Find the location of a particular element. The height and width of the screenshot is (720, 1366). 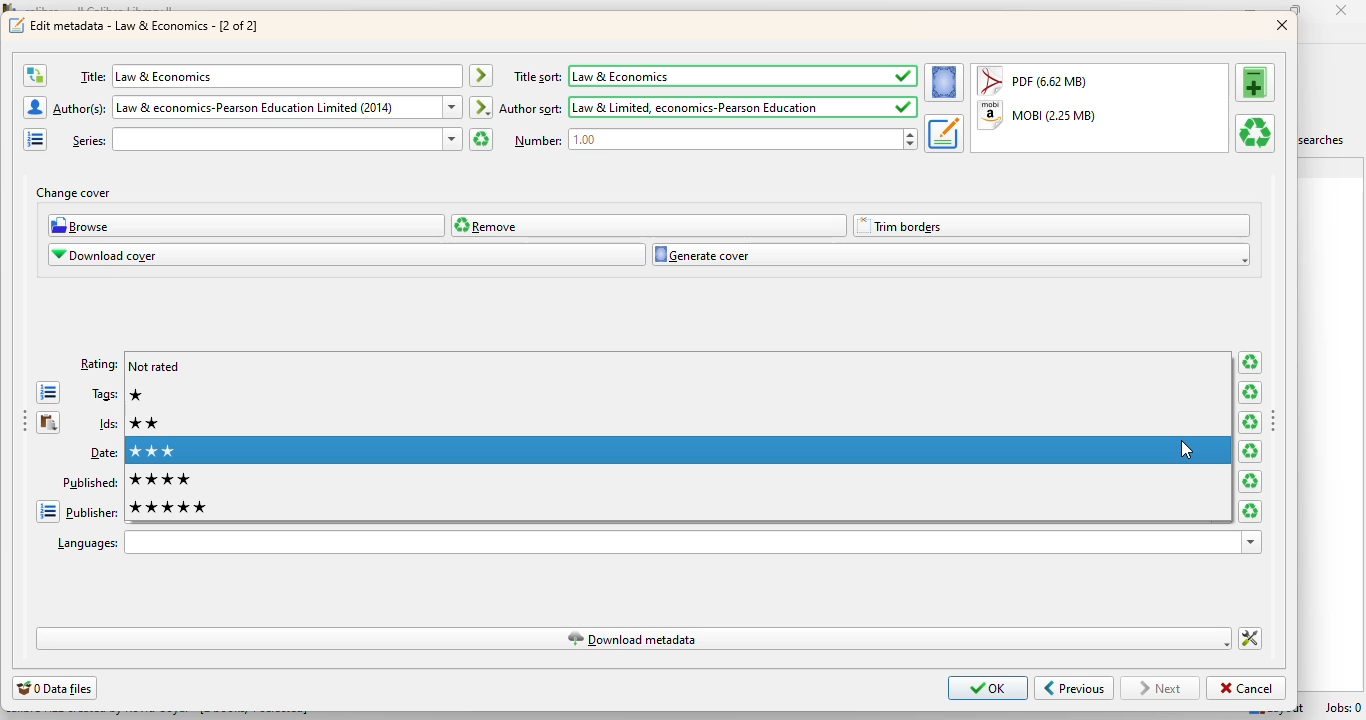

swap the author and title is located at coordinates (34, 75).